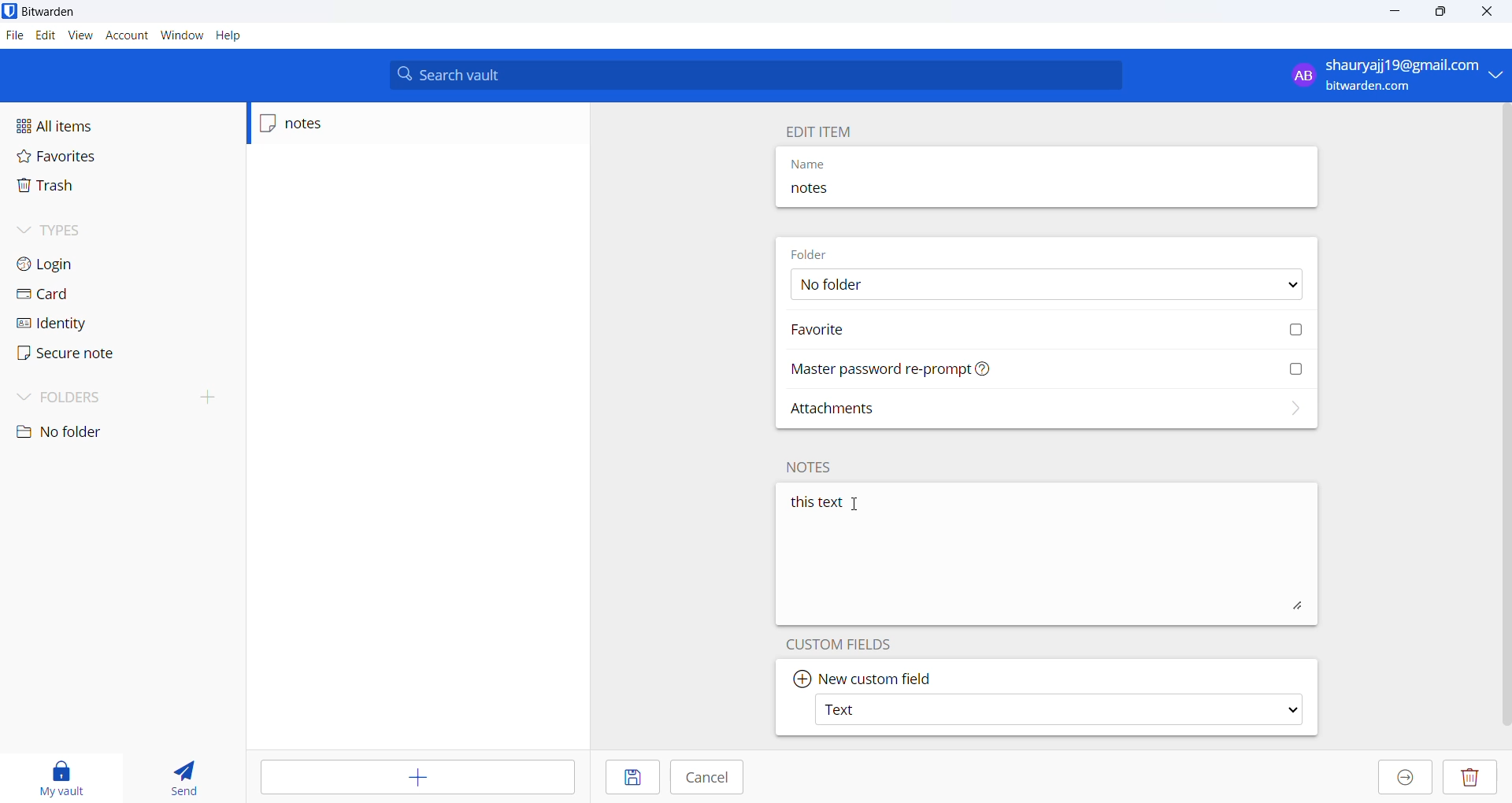 The width and height of the screenshot is (1512, 803). What do you see at coordinates (69, 187) in the screenshot?
I see `trash` at bounding box center [69, 187].